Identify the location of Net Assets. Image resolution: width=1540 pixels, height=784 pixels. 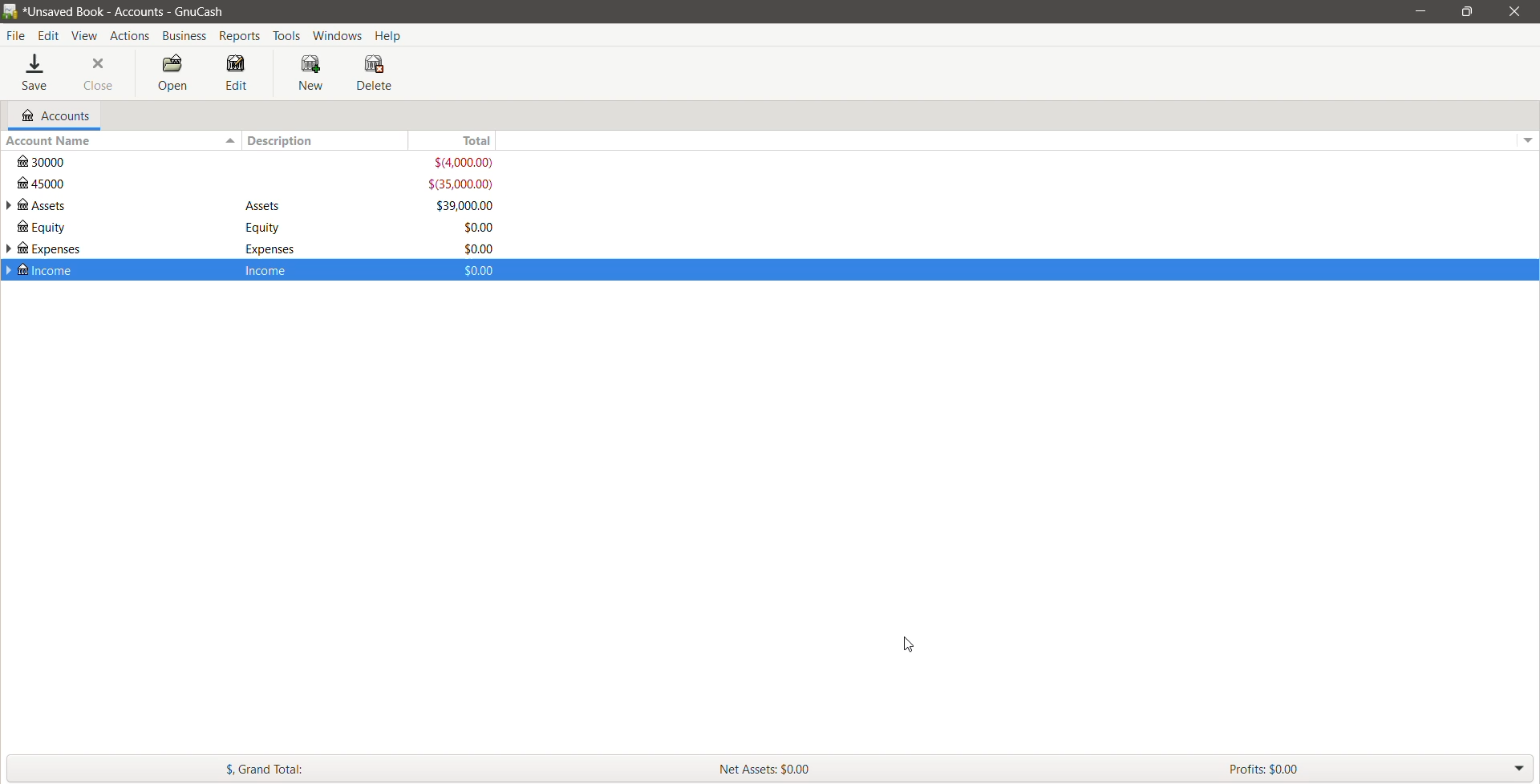
(963, 769).